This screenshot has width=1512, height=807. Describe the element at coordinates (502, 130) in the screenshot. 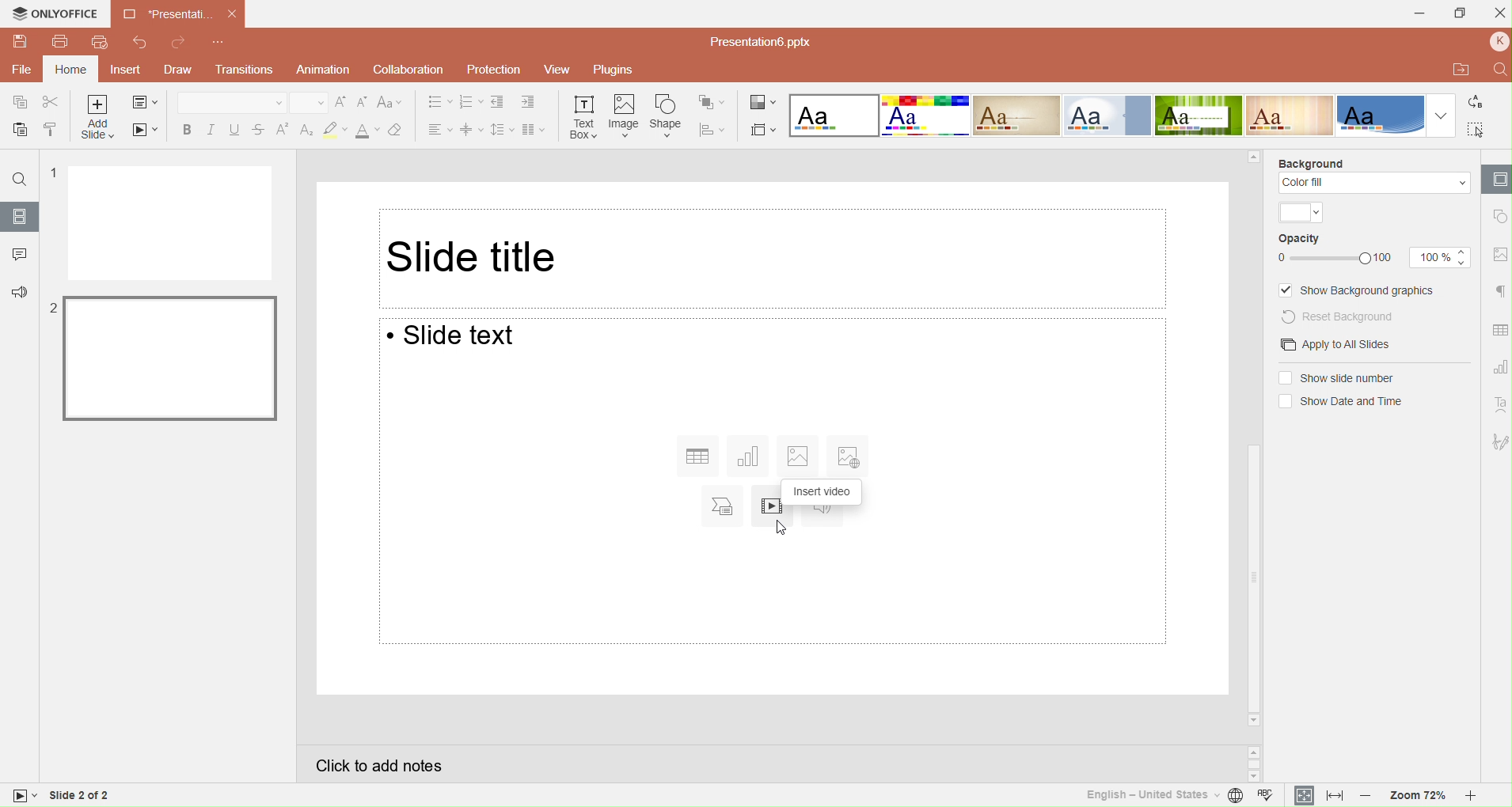

I see `Line spacing` at that location.